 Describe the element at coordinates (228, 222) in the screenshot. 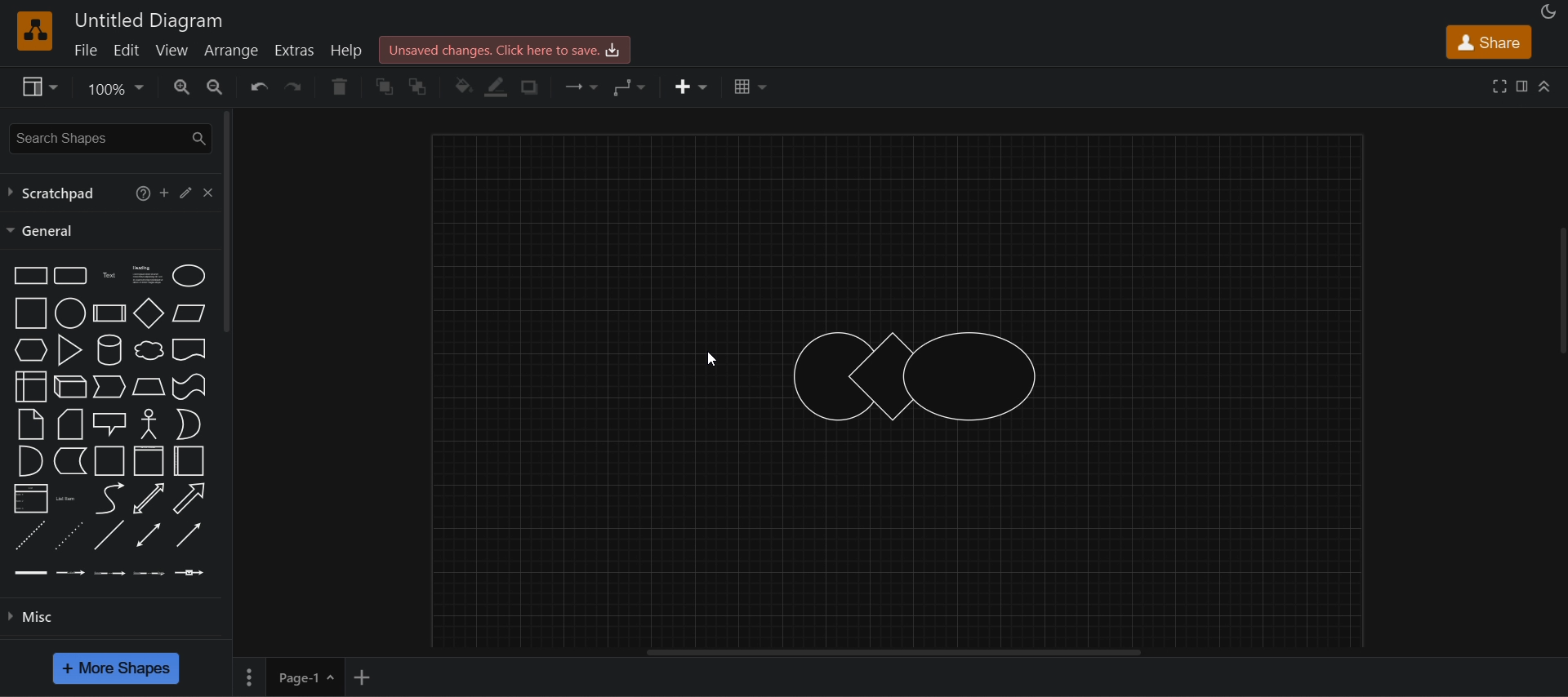

I see `vertical scroll bar` at that location.